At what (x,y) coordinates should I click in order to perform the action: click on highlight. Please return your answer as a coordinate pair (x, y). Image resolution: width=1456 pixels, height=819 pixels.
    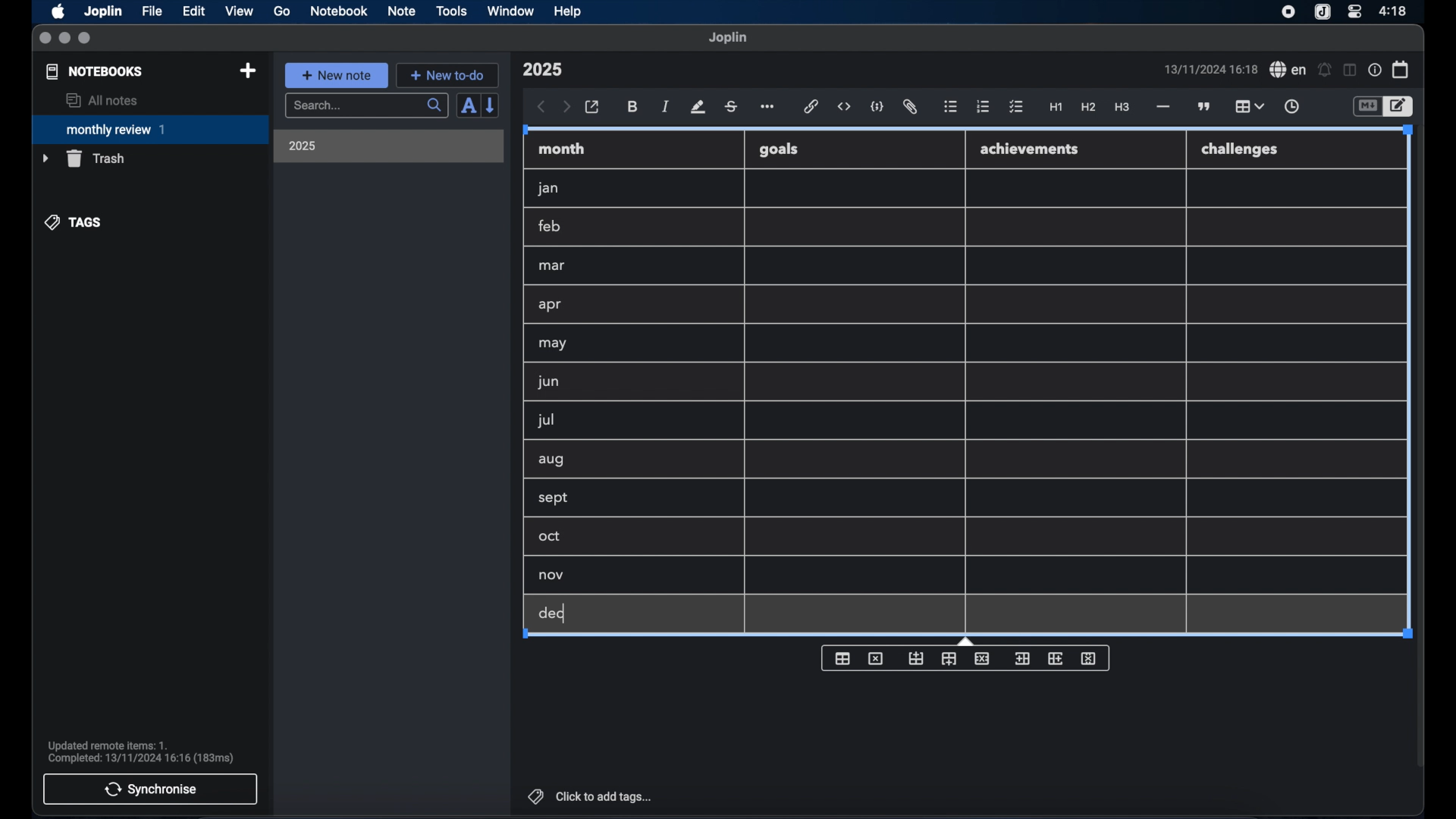
    Looking at the image, I should click on (698, 107).